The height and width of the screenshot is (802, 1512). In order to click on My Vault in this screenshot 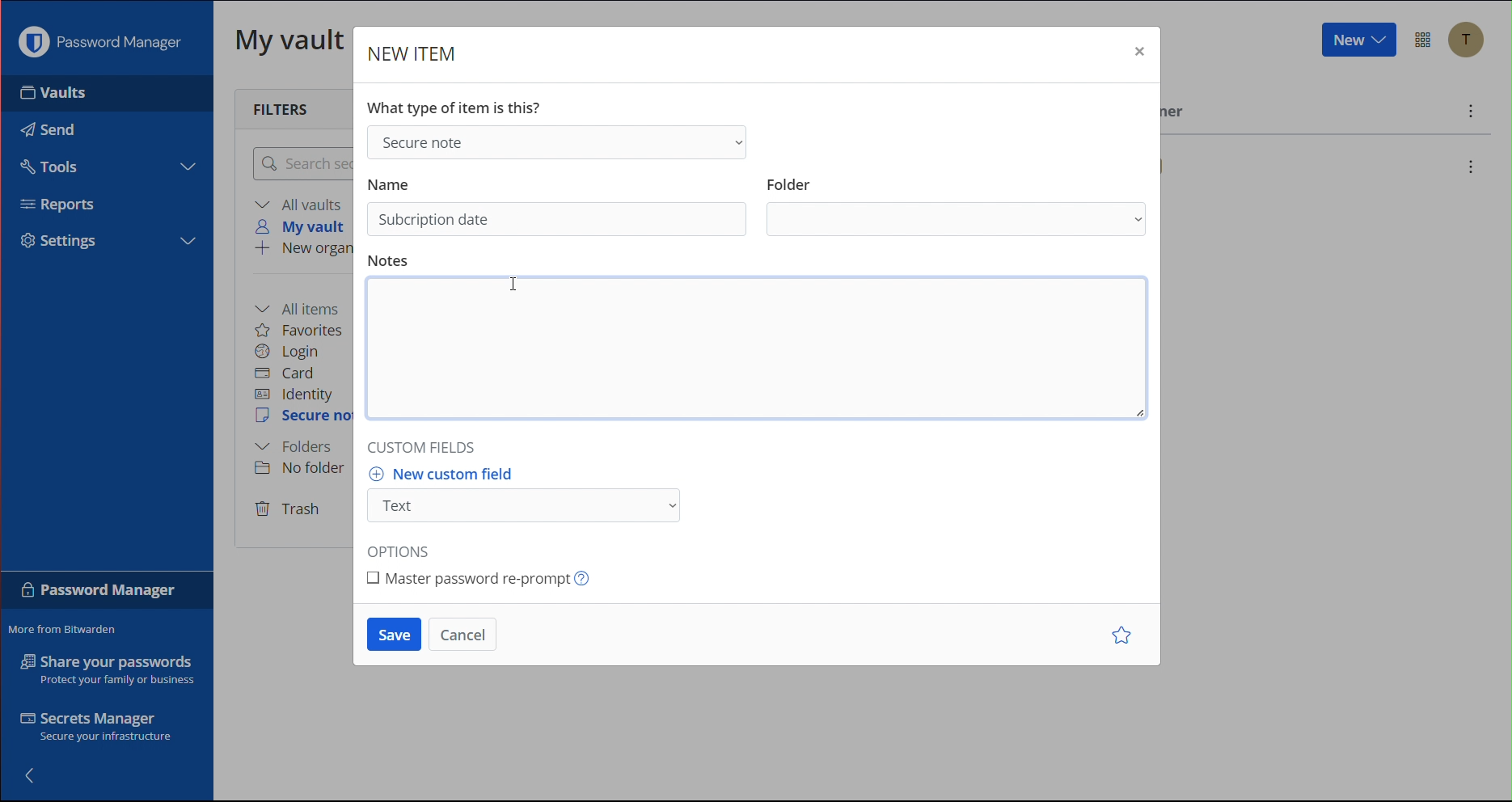, I will do `click(290, 39)`.